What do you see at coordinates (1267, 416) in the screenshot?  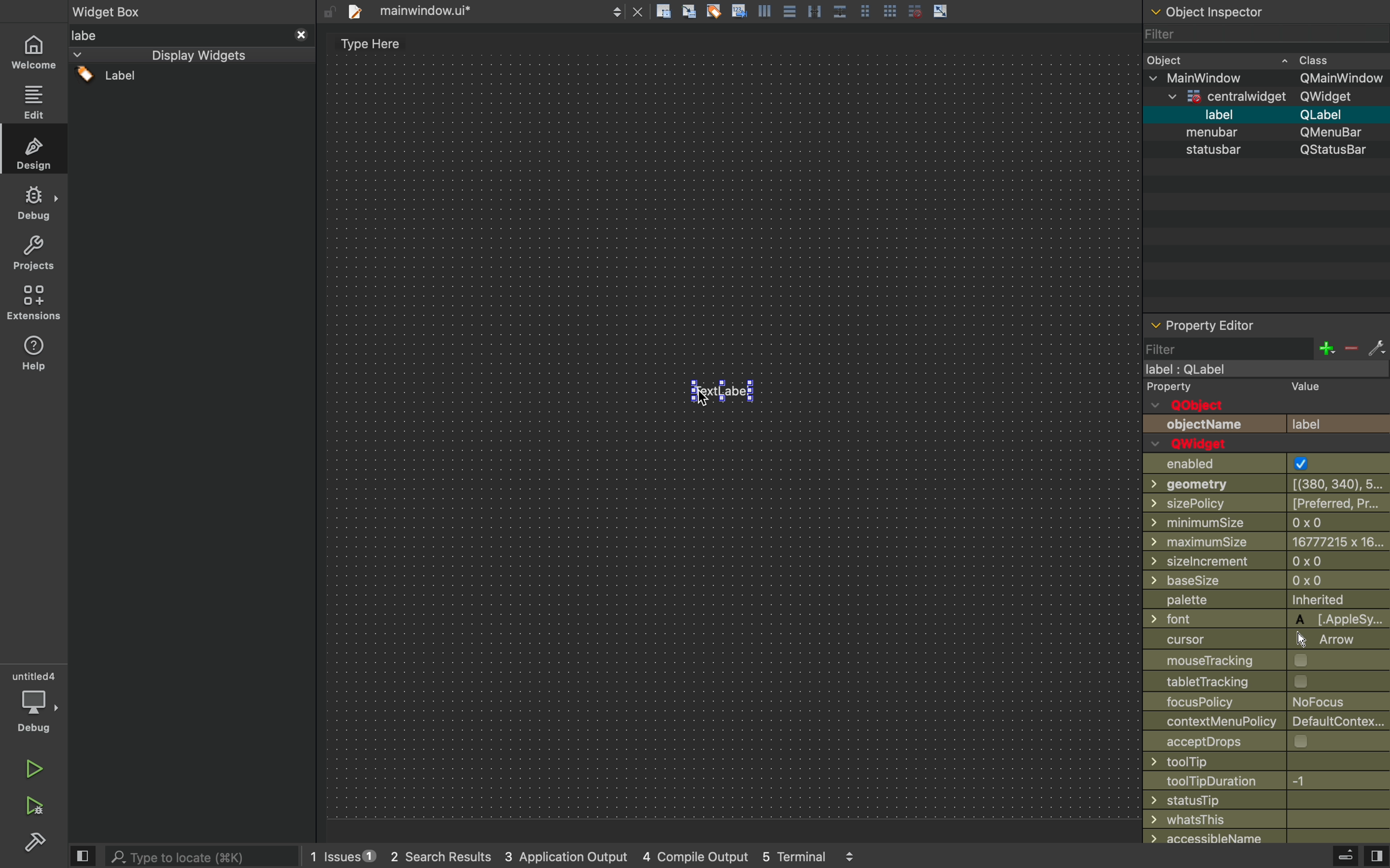 I see `objects` at bounding box center [1267, 416].